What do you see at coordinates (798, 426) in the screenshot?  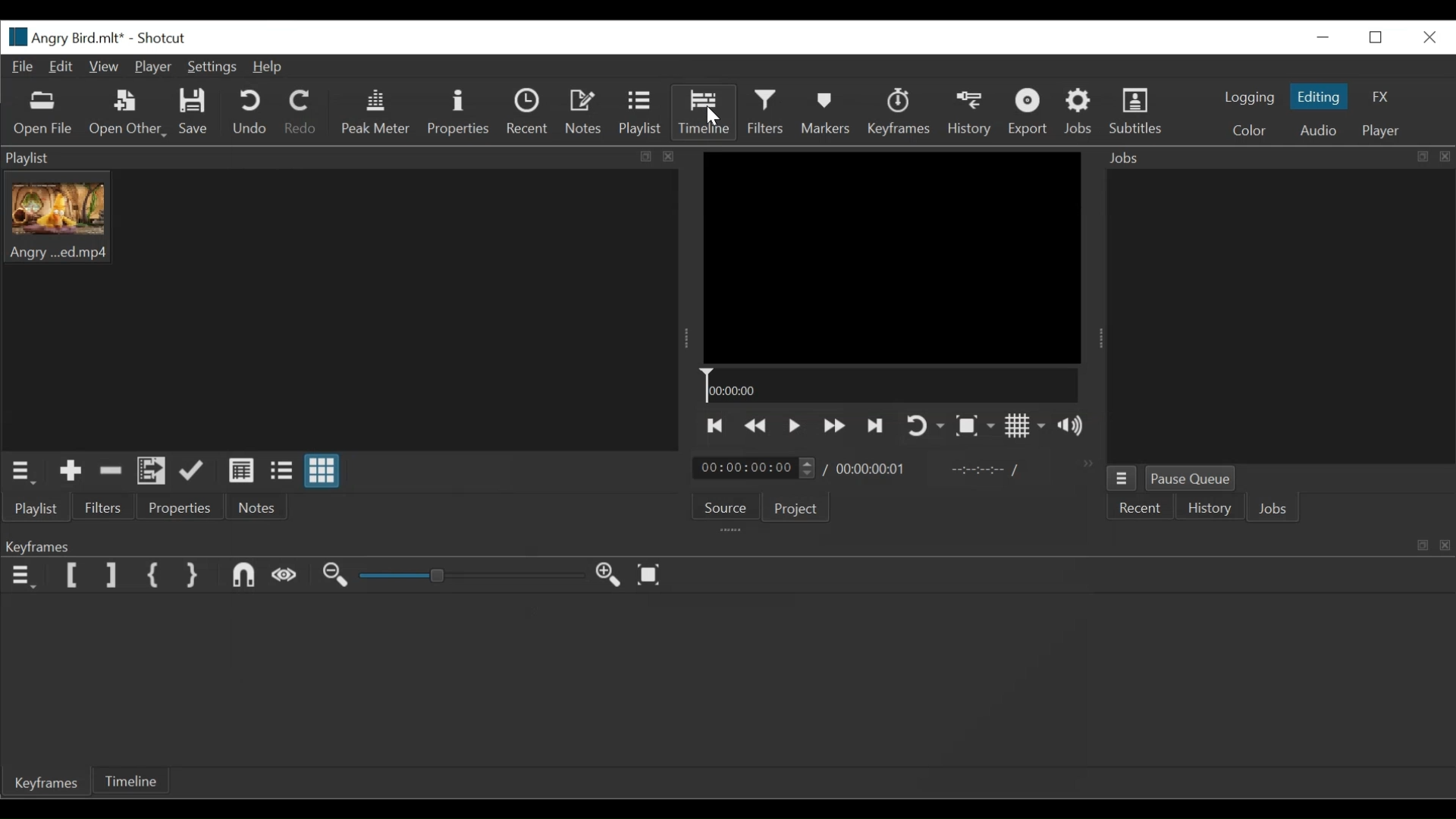 I see `Toggle play or pause` at bounding box center [798, 426].